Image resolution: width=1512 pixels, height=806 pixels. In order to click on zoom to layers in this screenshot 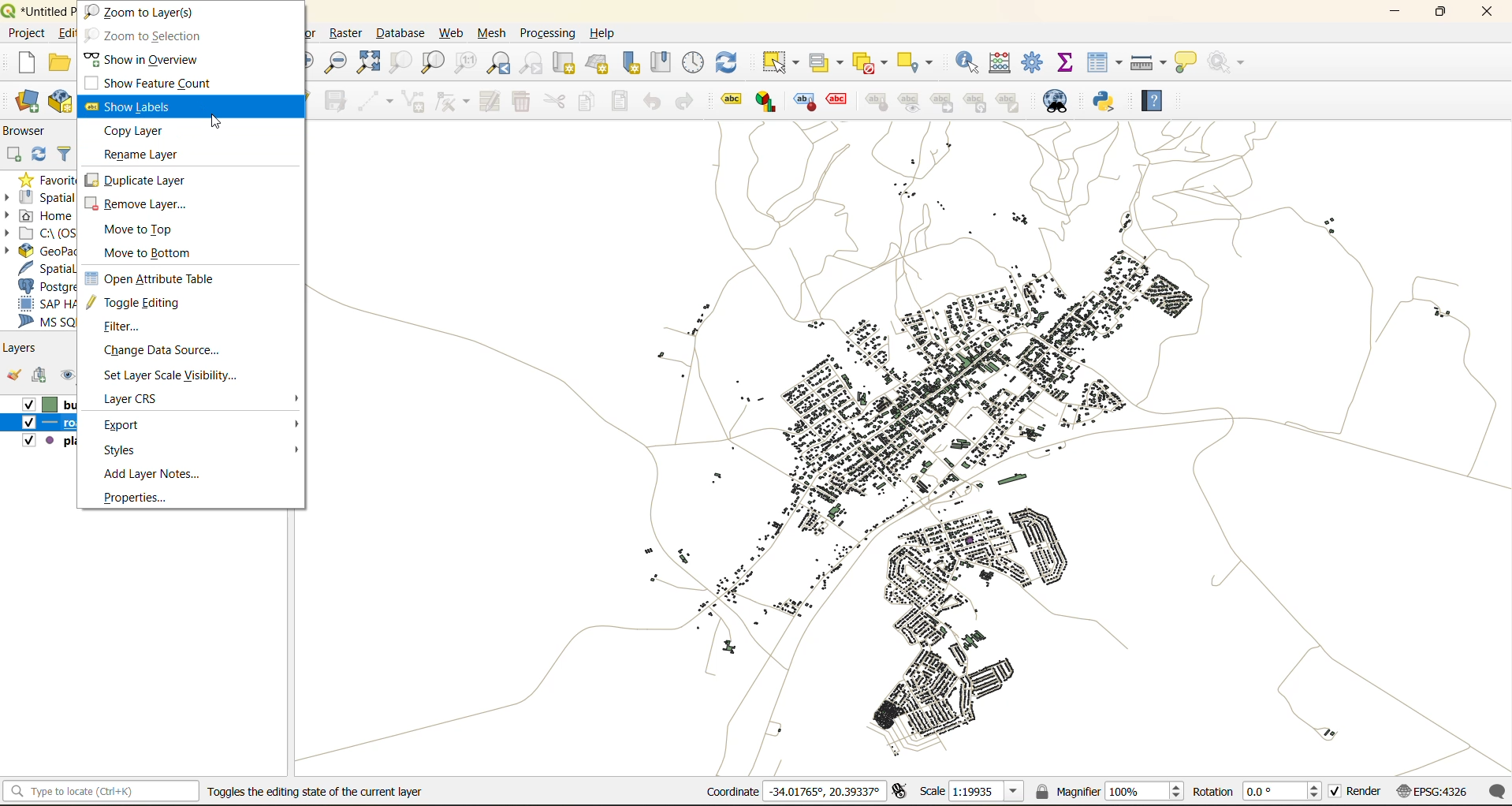, I will do `click(146, 12)`.